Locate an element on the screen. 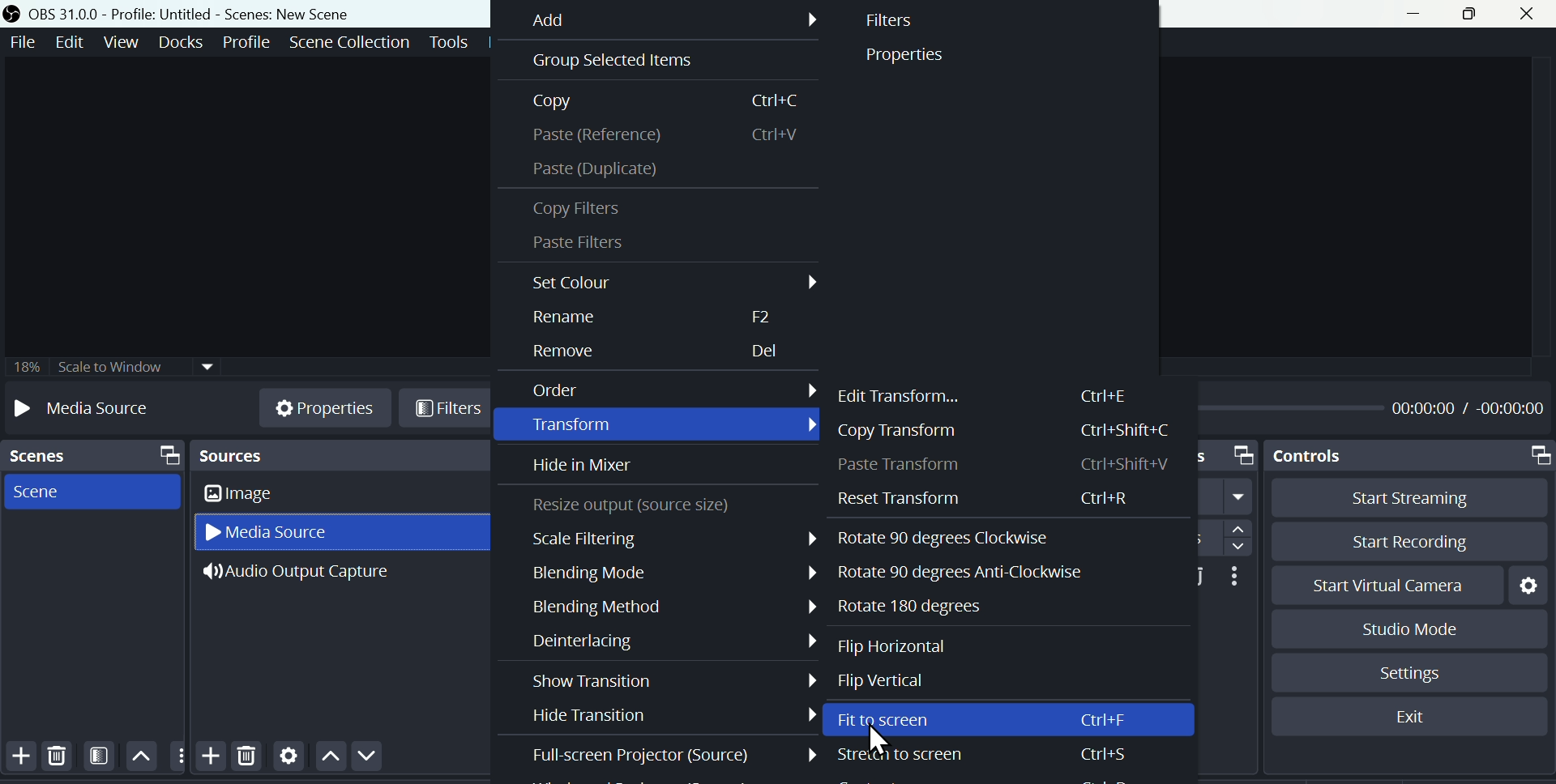 The width and height of the screenshot is (1556, 784). fade is located at coordinates (1233, 497).